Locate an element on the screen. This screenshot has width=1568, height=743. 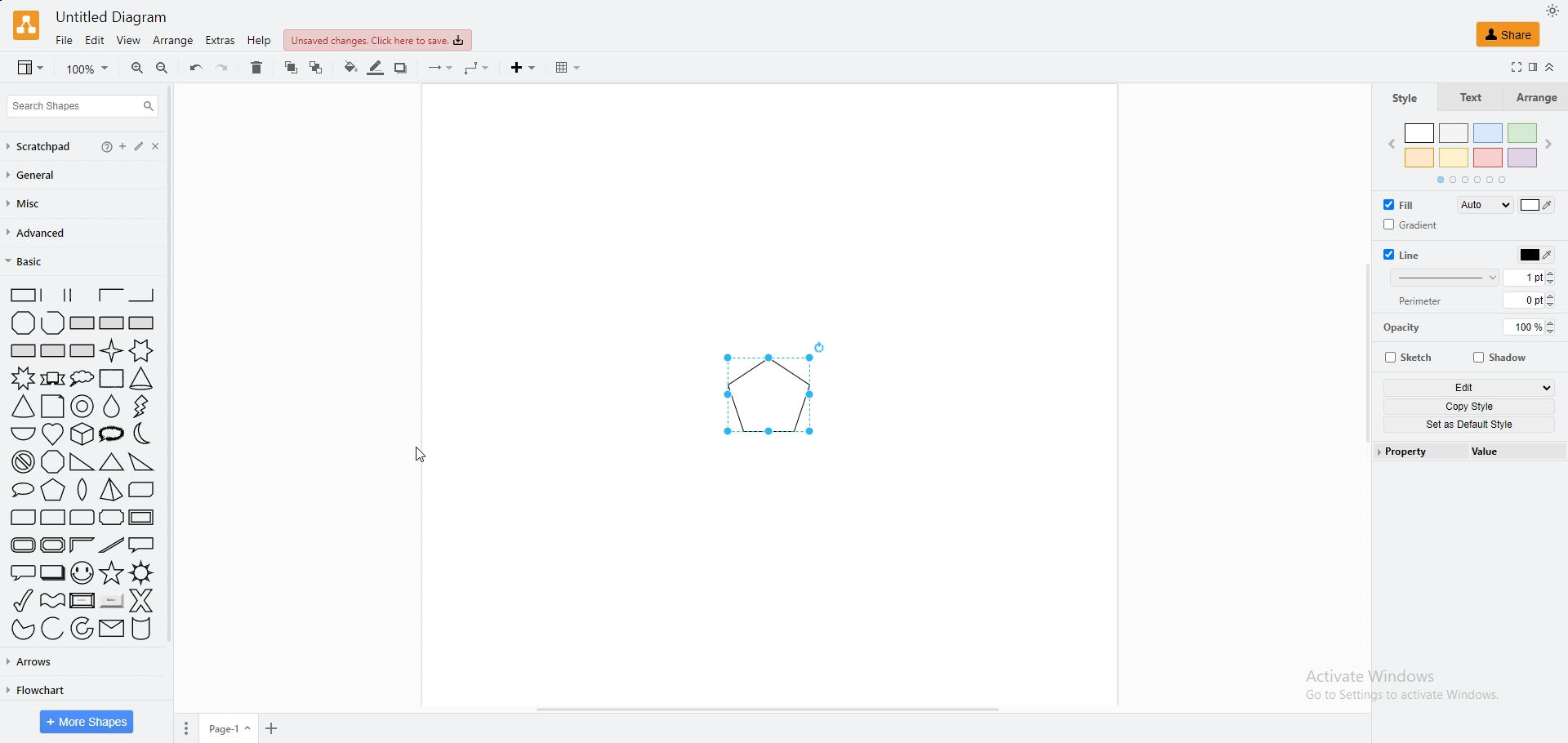
half circle is located at coordinates (21, 433).